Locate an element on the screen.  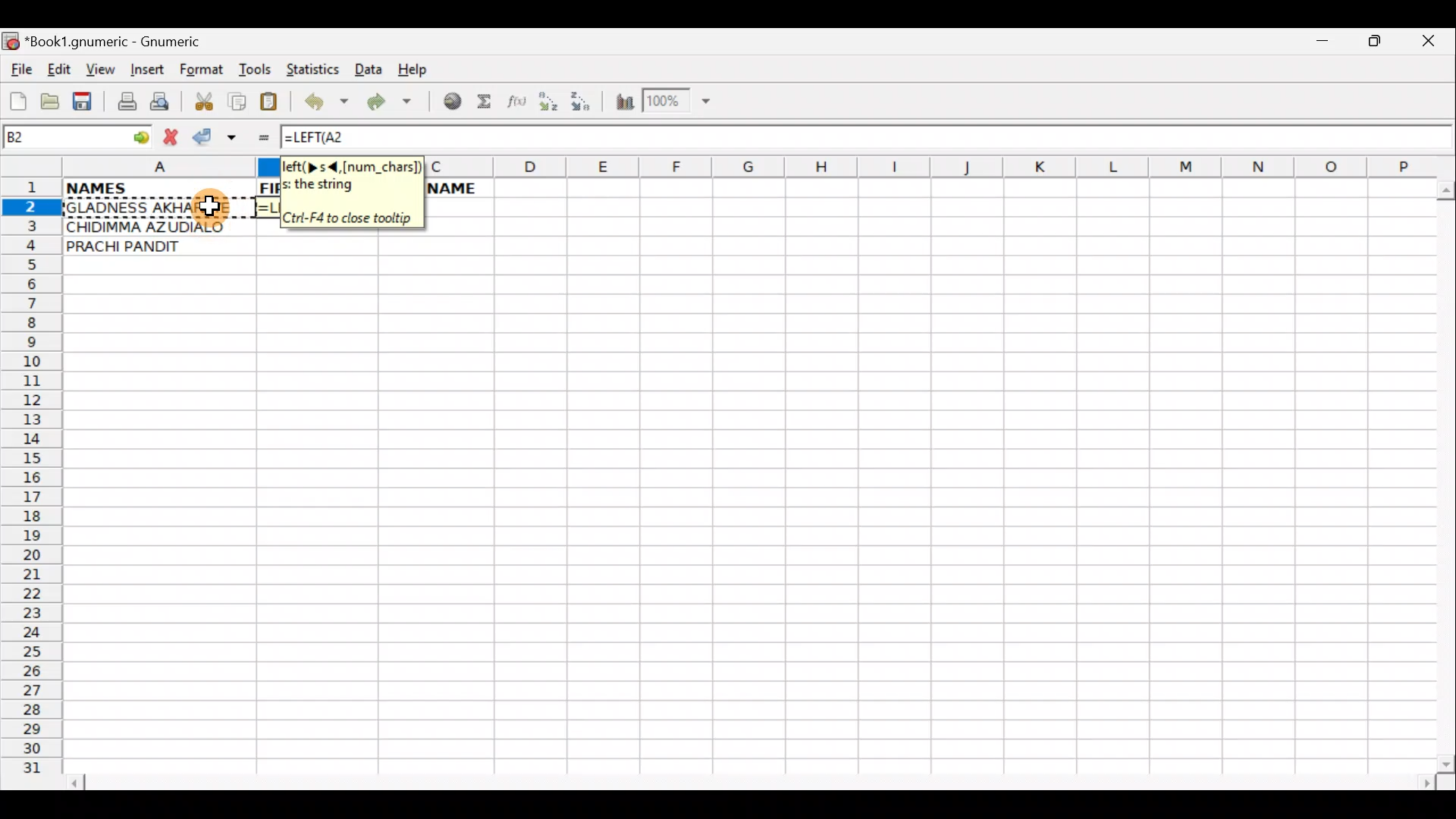
go to is located at coordinates (140, 135).